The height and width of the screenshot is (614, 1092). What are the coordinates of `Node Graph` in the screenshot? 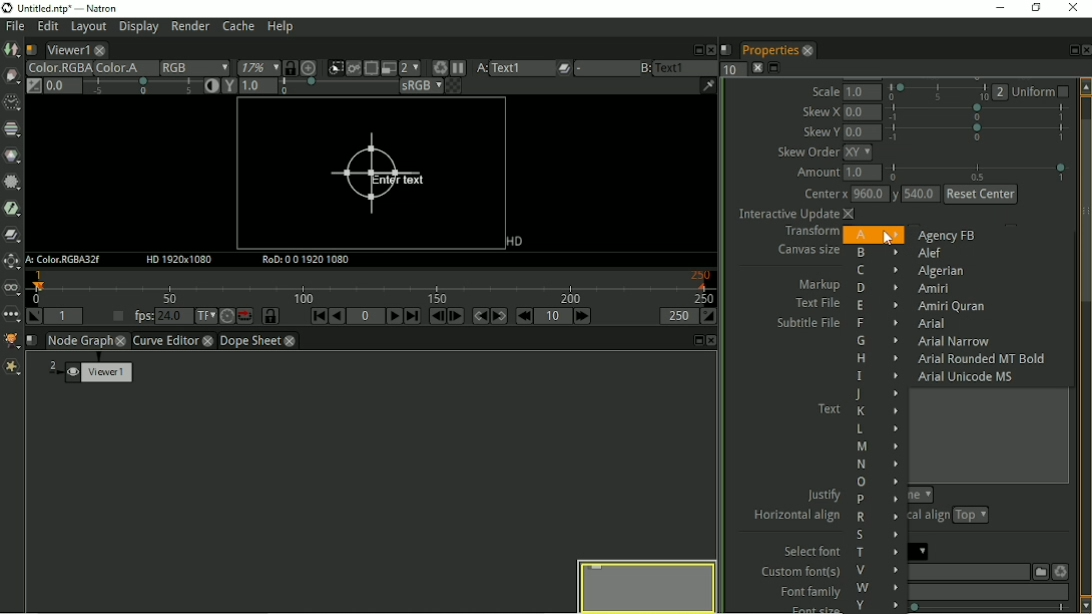 It's located at (80, 341).